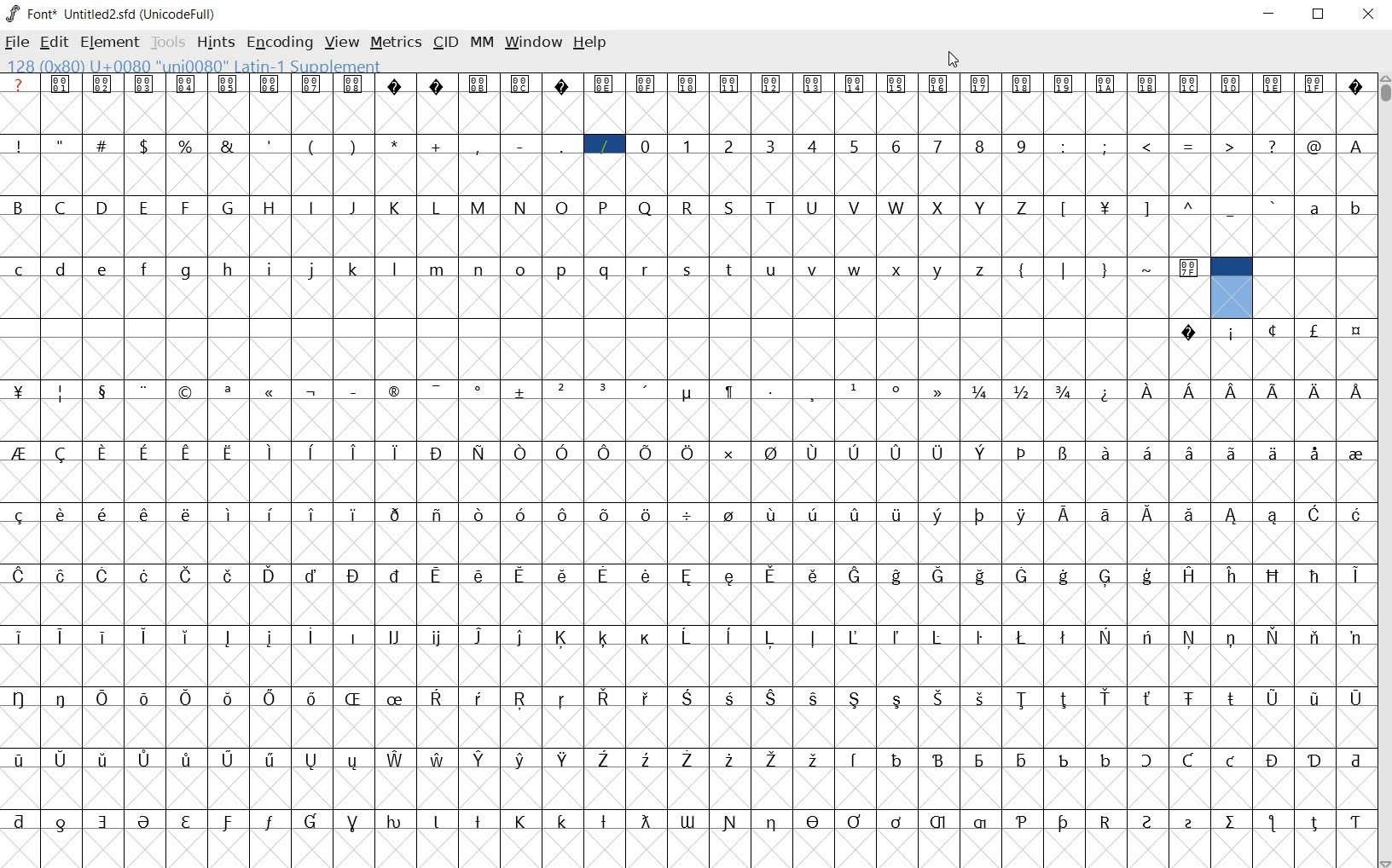  I want to click on Symbol, so click(647, 760).